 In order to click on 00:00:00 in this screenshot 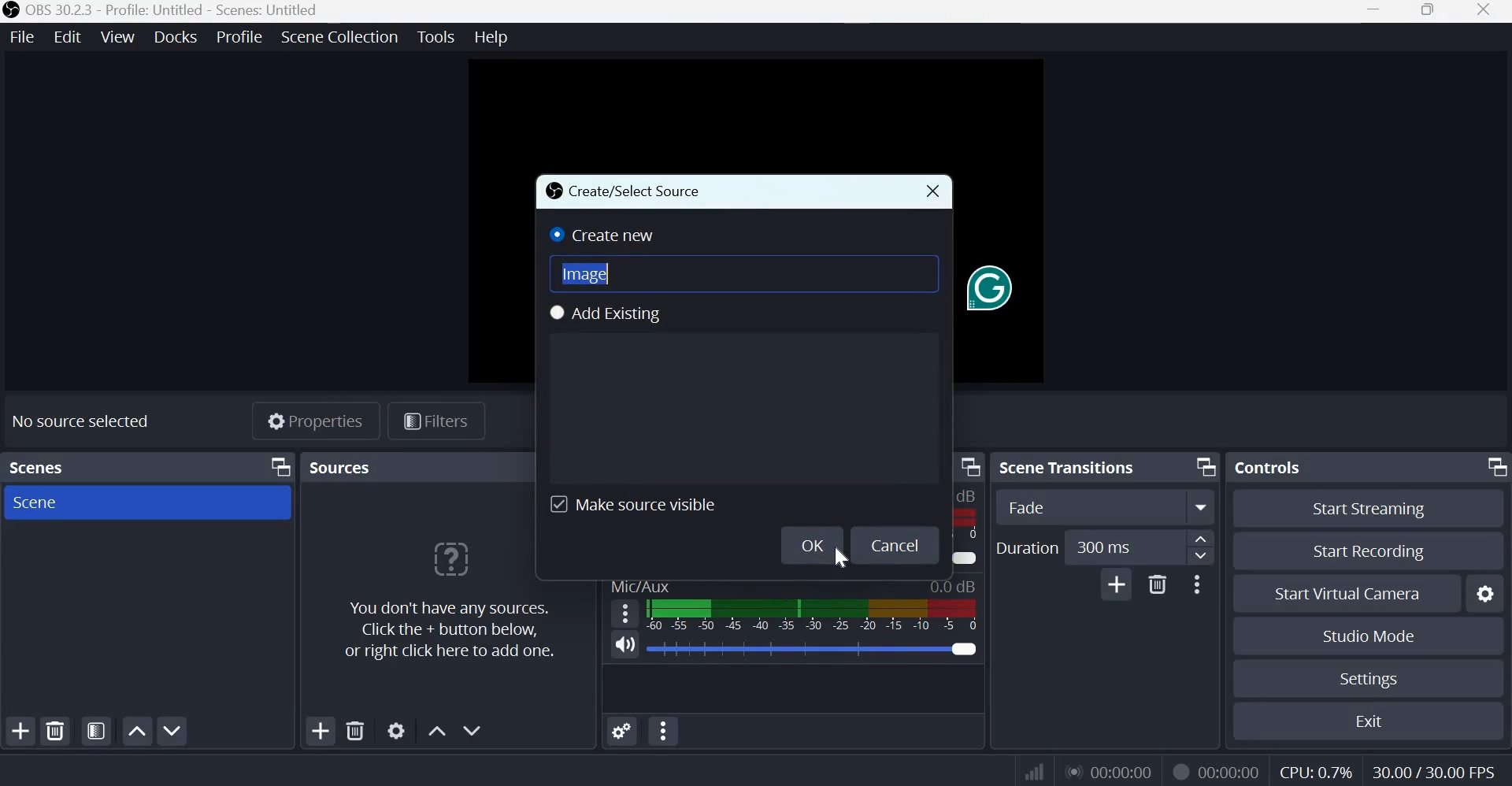, I will do `click(1113, 772)`.